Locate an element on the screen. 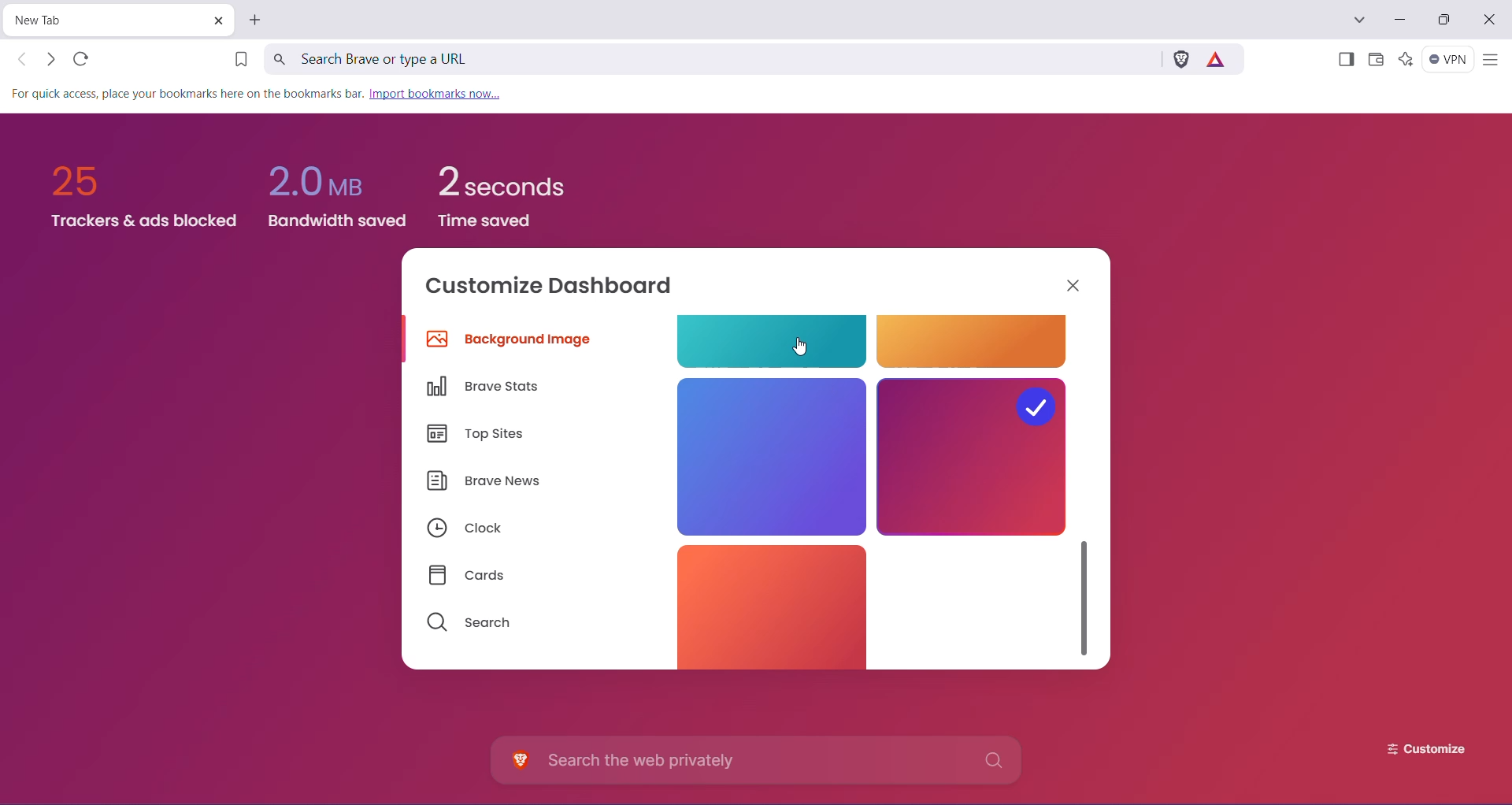  Customize Dashboard is located at coordinates (560, 288).